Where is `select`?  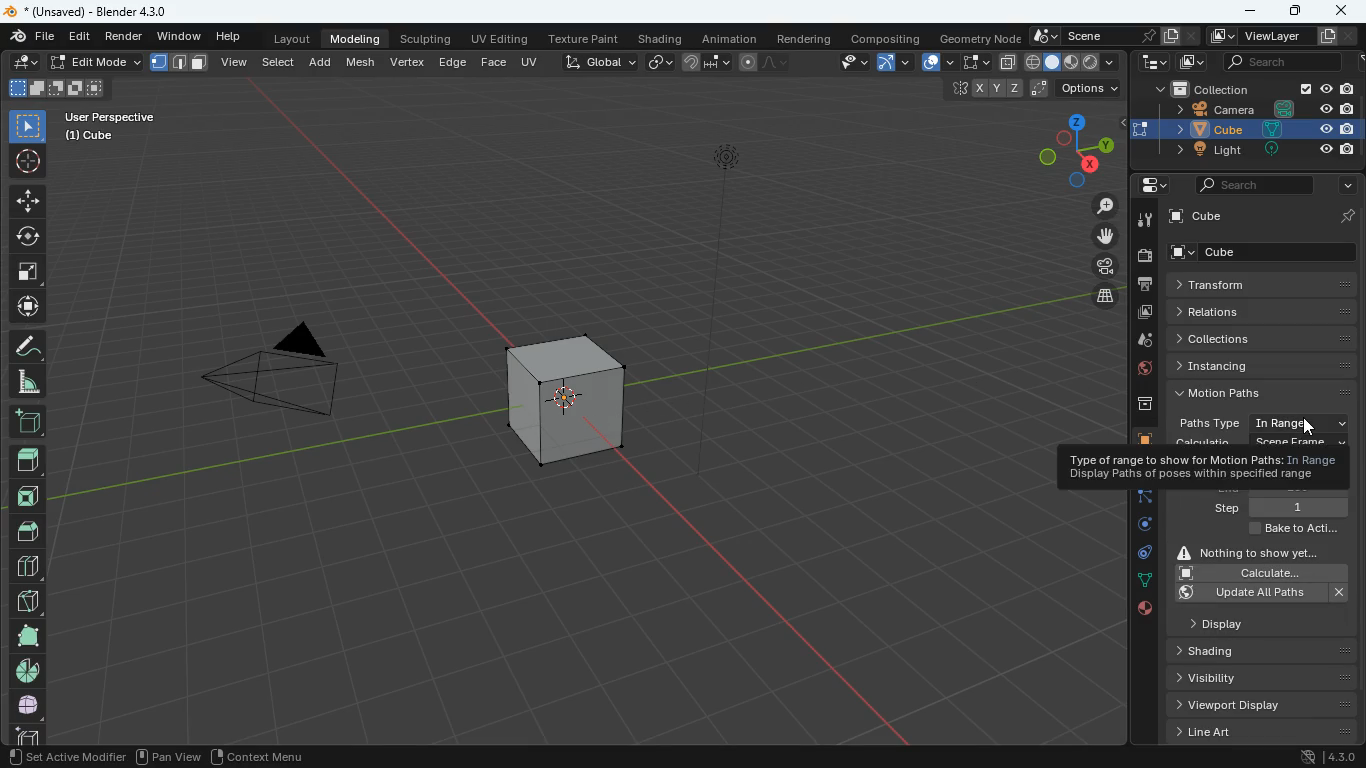 select is located at coordinates (28, 125).